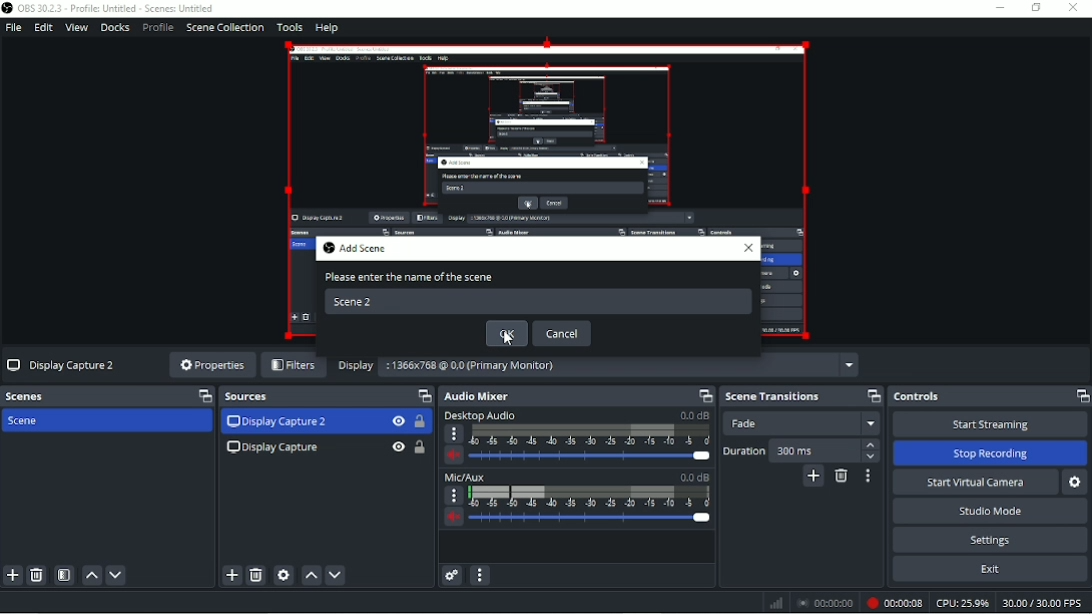 This screenshot has height=614, width=1092. Describe the element at coordinates (354, 303) in the screenshot. I see `Scene 2` at that location.